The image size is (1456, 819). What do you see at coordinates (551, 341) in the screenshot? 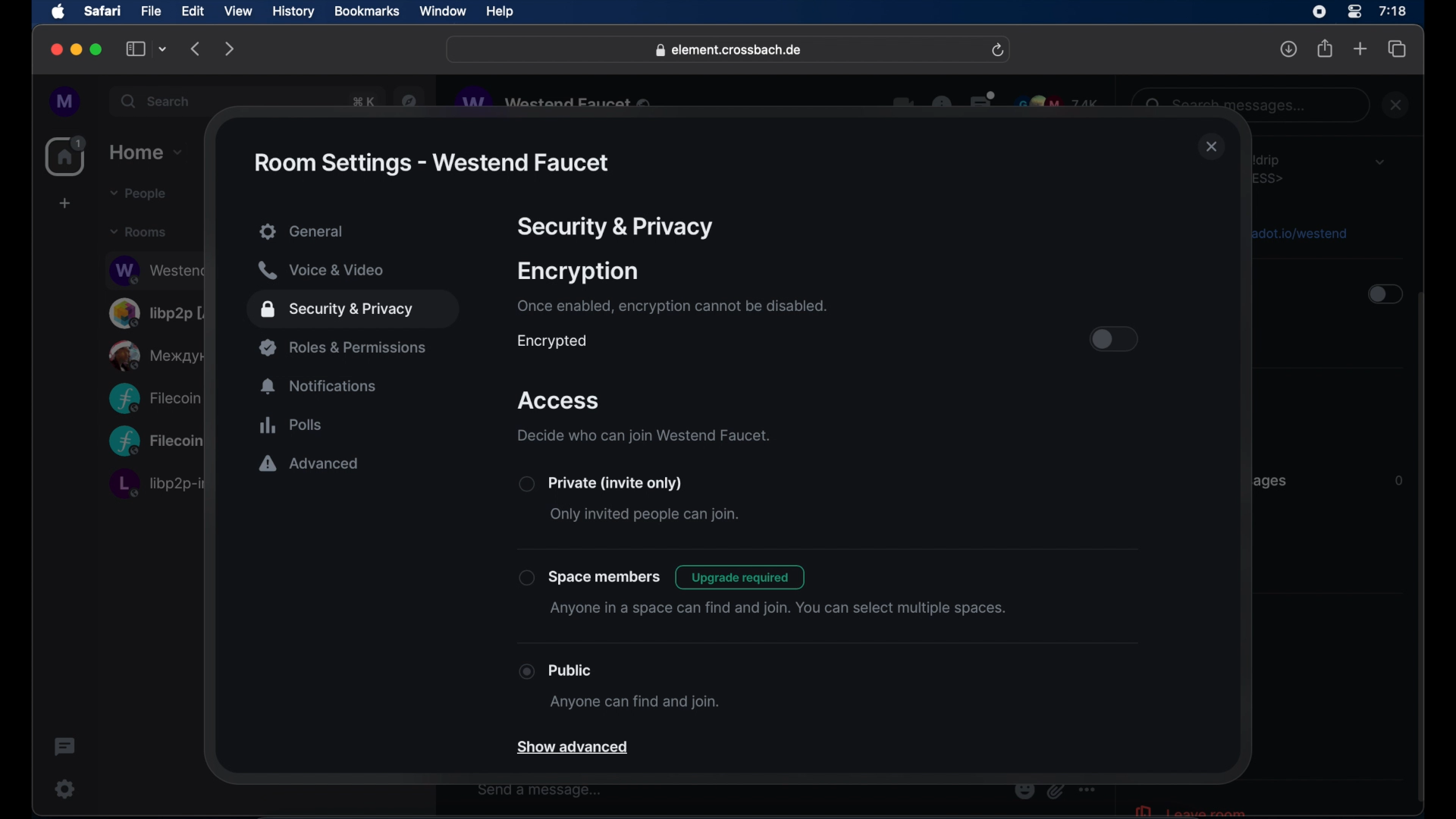
I see `encrypted` at bounding box center [551, 341].